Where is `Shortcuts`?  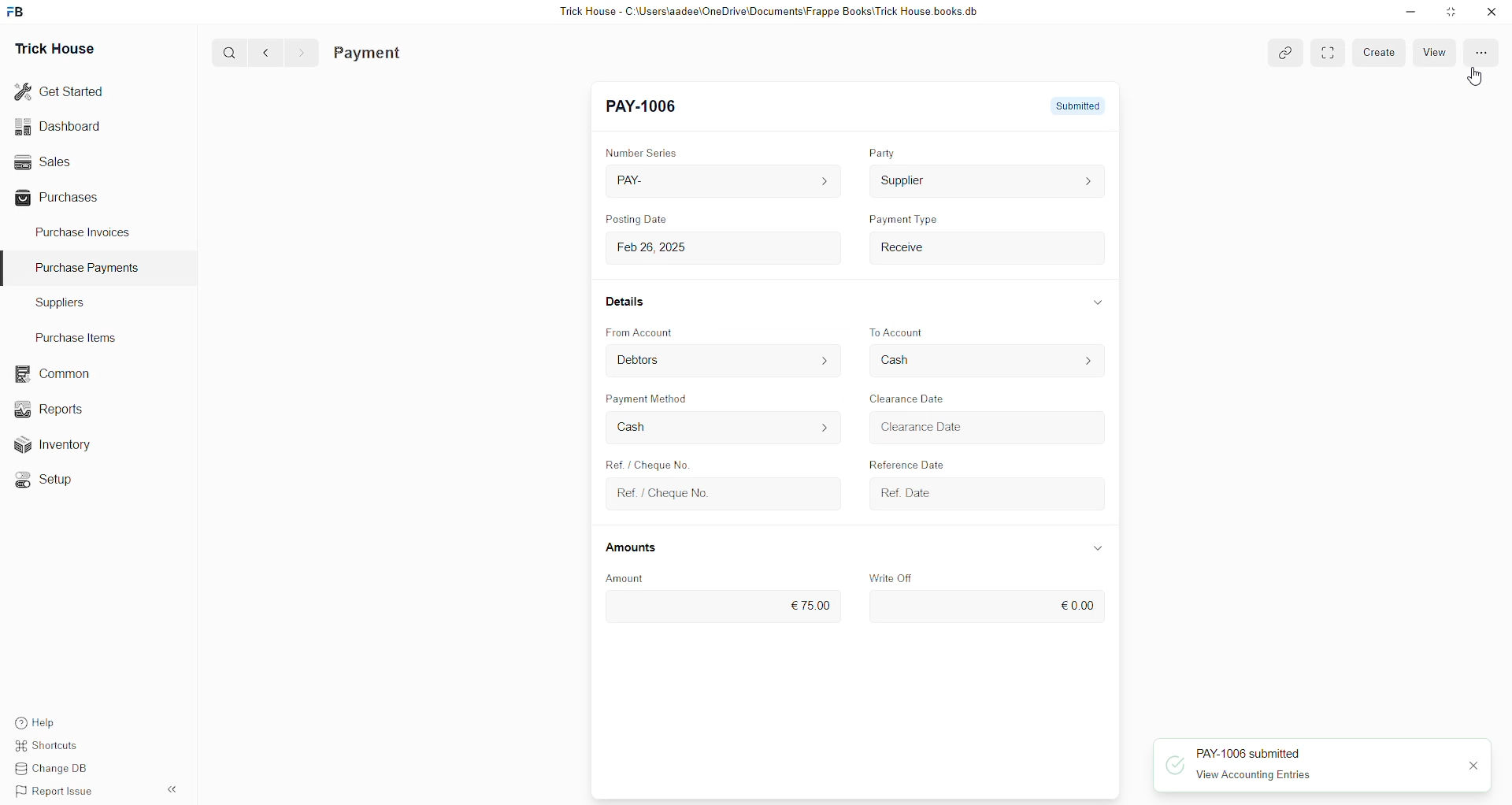
Shortcuts is located at coordinates (47, 746).